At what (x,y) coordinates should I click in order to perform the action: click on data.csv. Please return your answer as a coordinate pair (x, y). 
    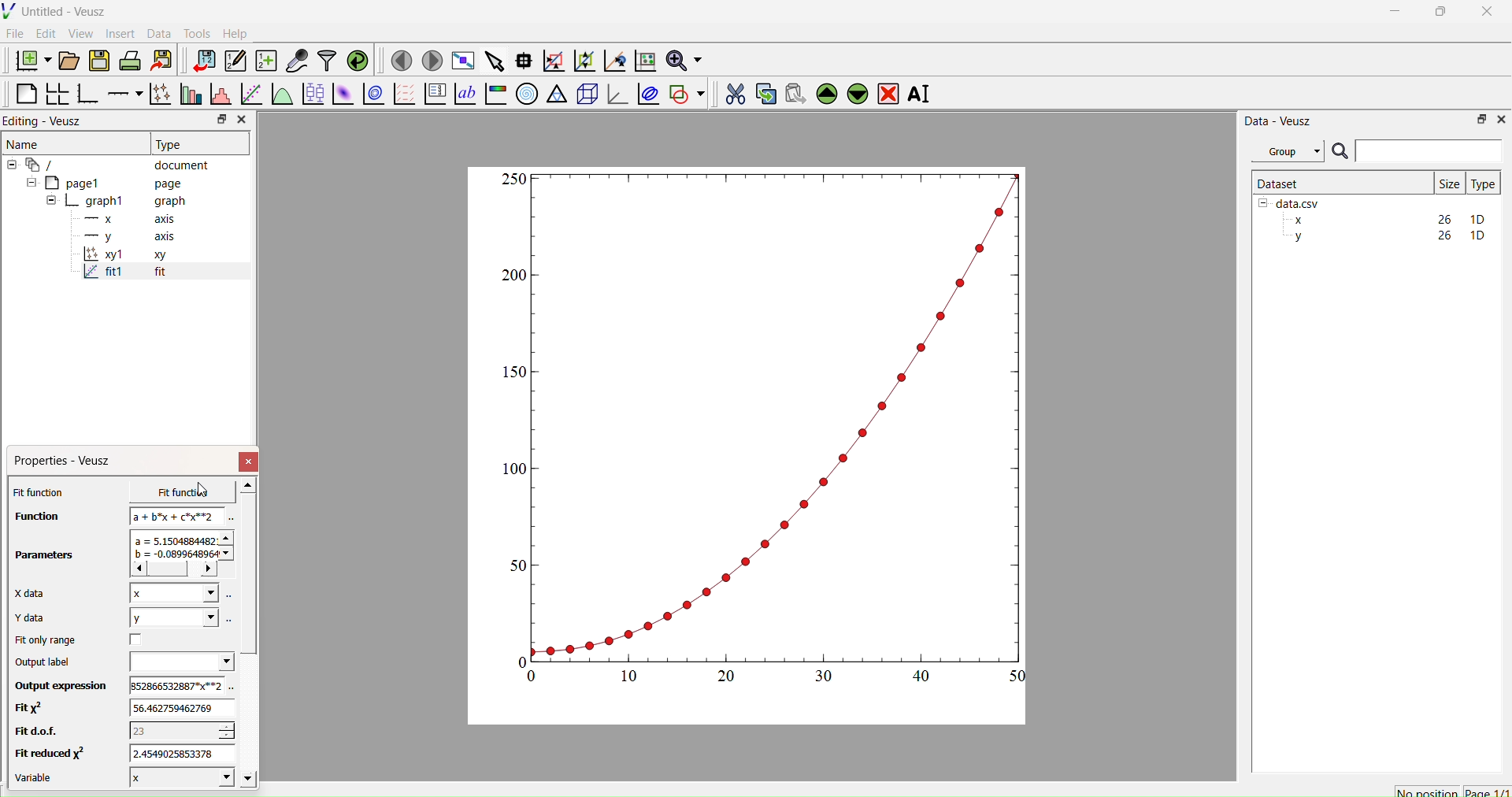
    Looking at the image, I should click on (1291, 202).